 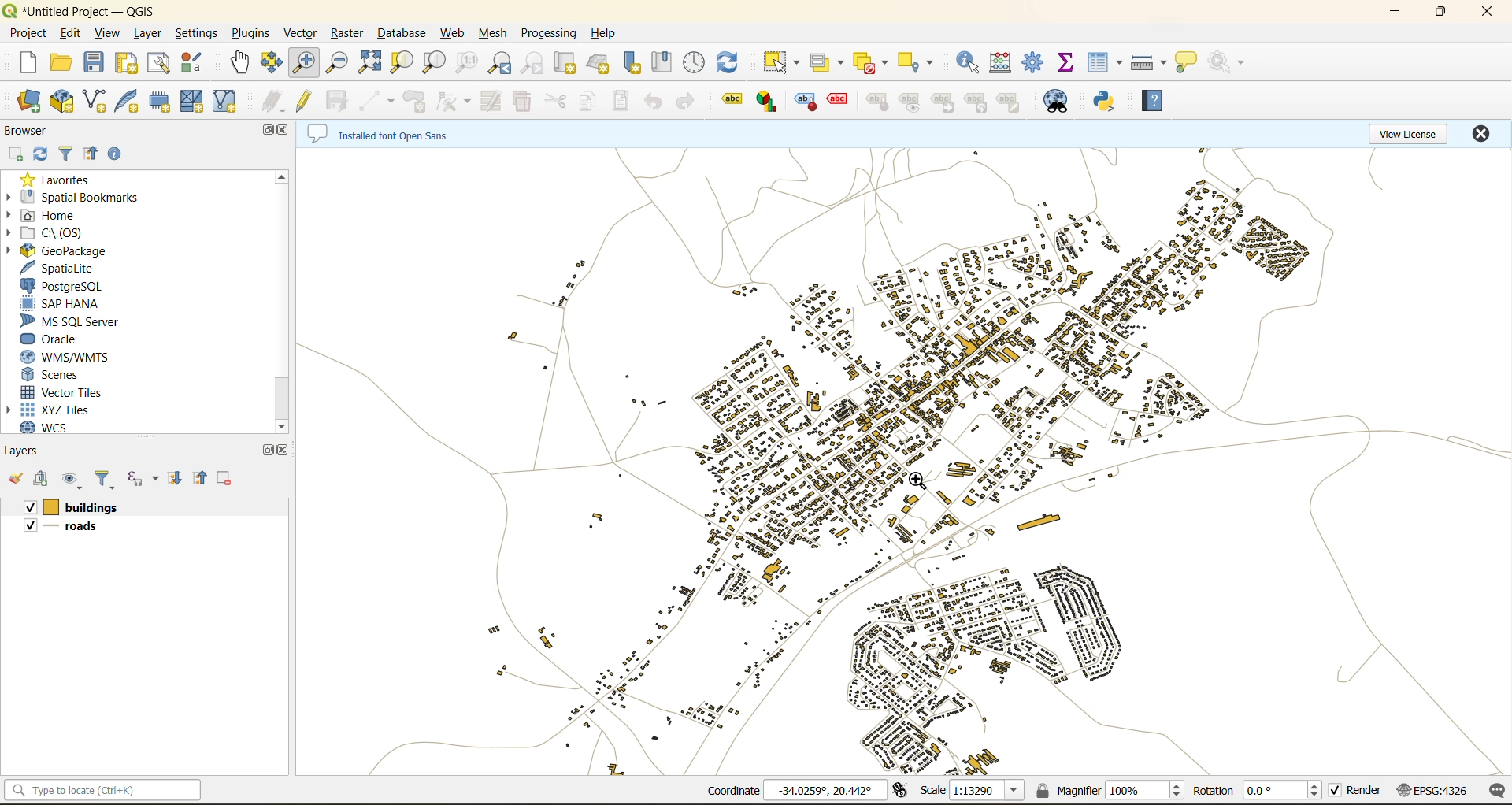 What do you see at coordinates (943, 103) in the screenshot?
I see `Forward Label` at bounding box center [943, 103].